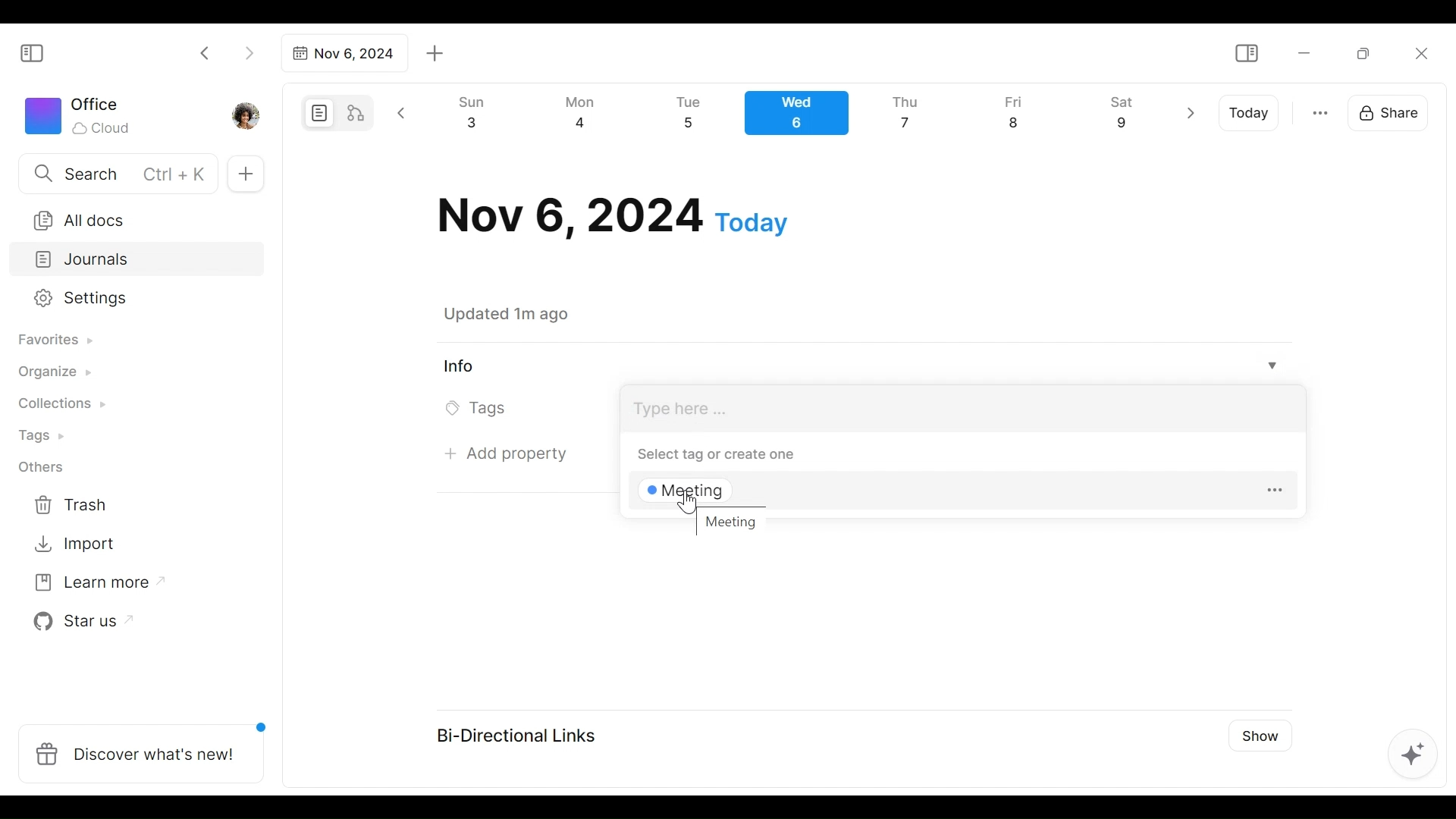  What do you see at coordinates (317, 113) in the screenshot?
I see `Page mode` at bounding box center [317, 113].